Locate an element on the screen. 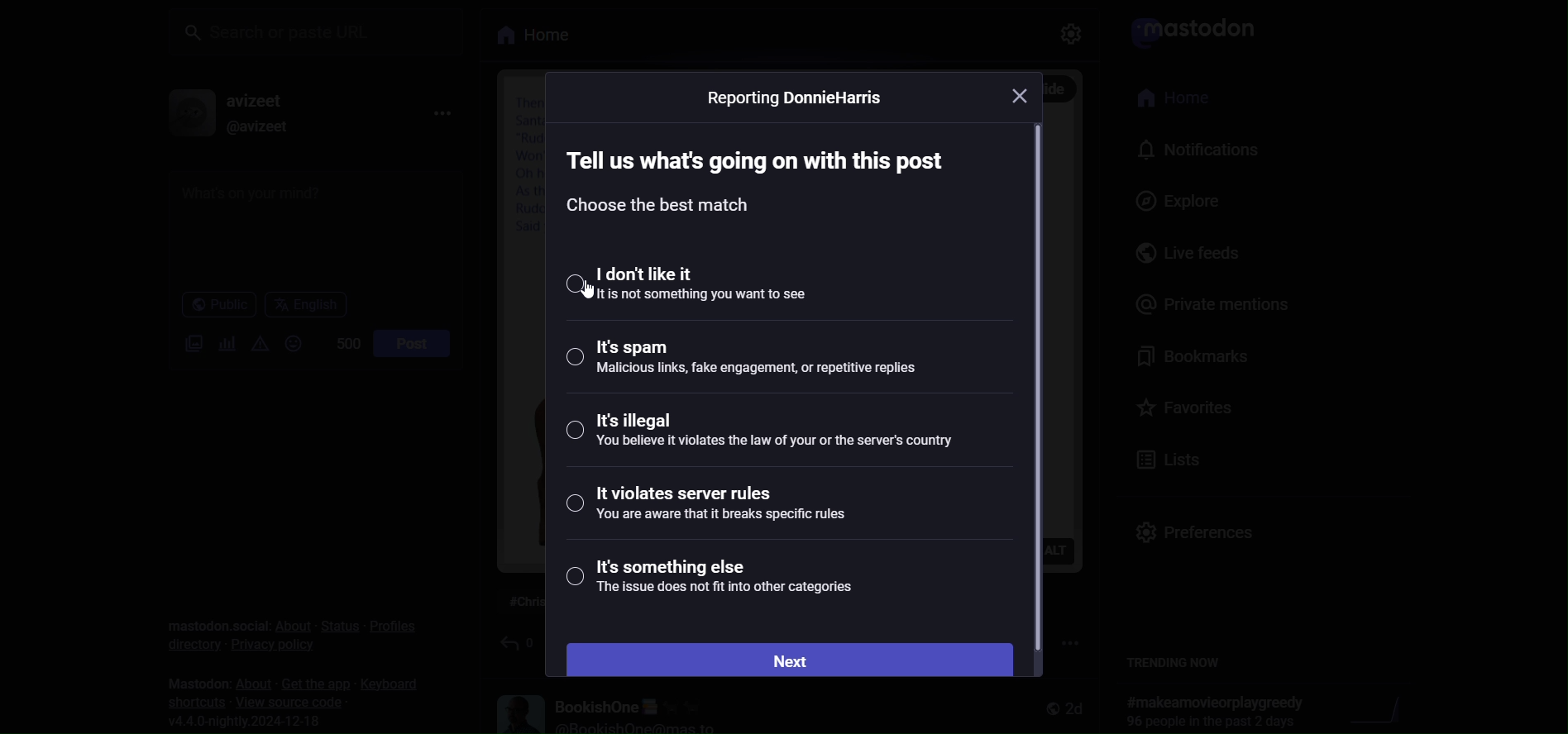 This screenshot has height=734, width=1568. cursor is located at coordinates (589, 293).